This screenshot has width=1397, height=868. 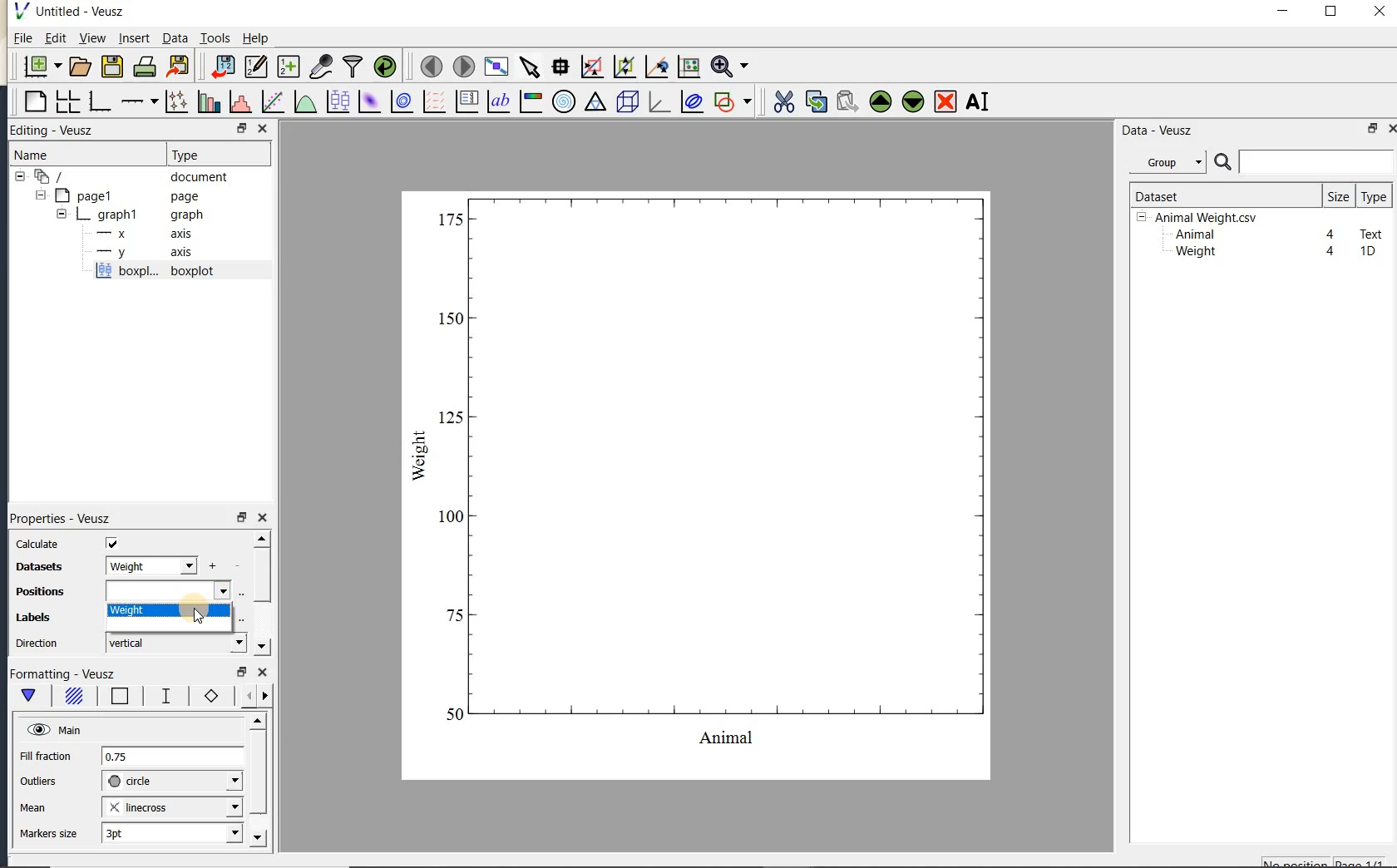 What do you see at coordinates (1338, 195) in the screenshot?
I see `size` at bounding box center [1338, 195].